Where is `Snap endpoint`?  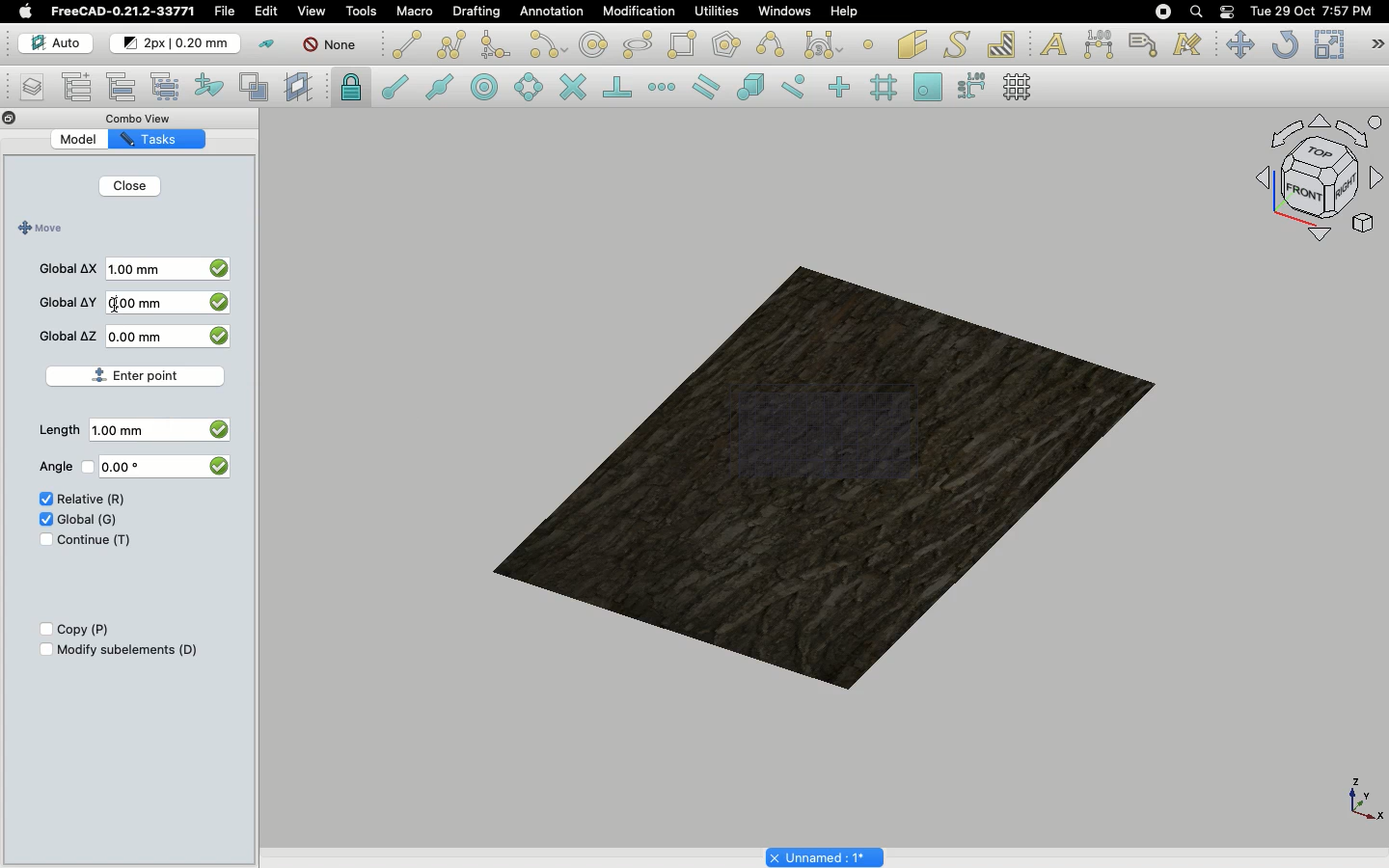
Snap endpoint is located at coordinates (395, 90).